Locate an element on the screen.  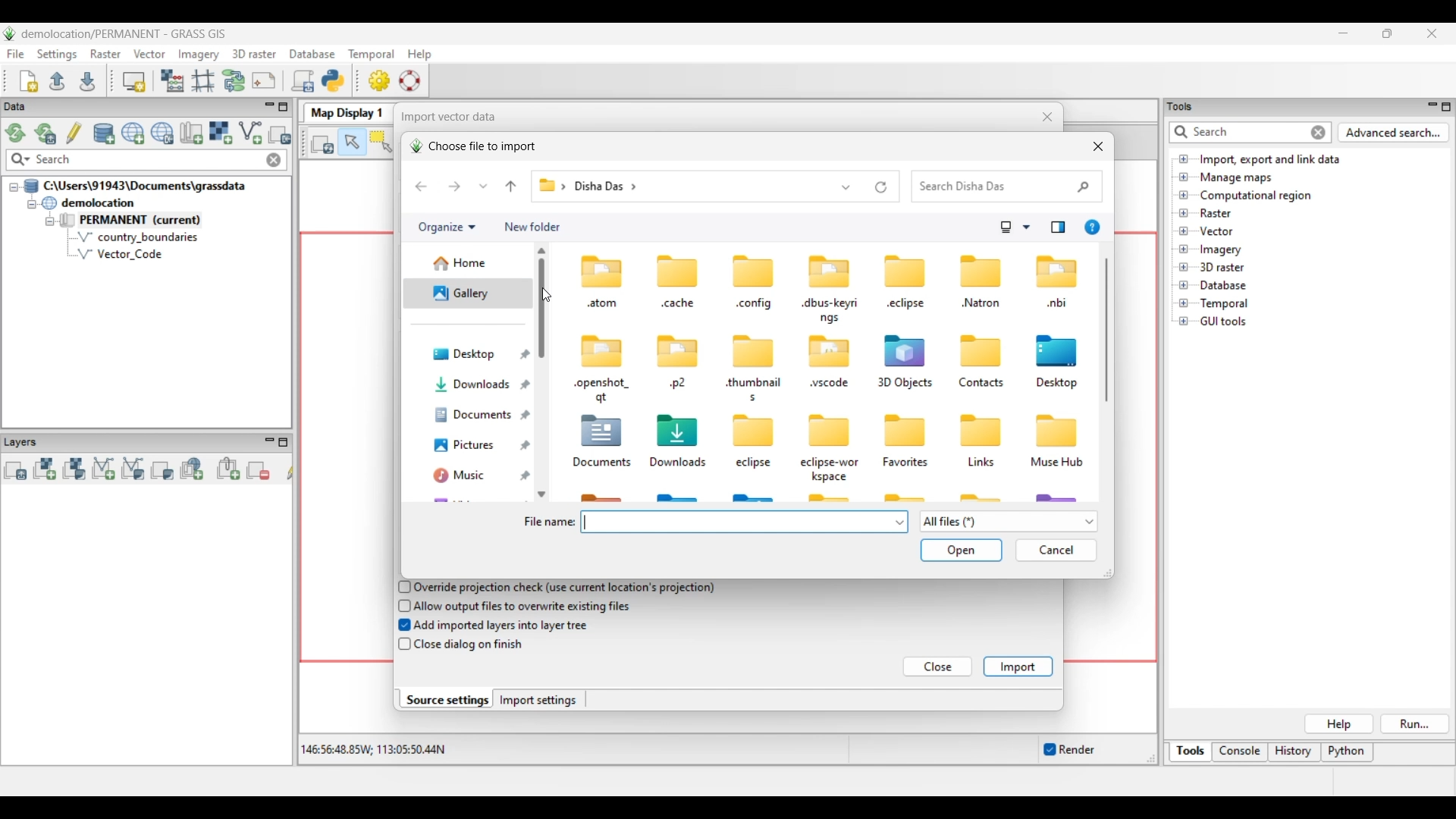
Create new workspace is located at coordinates (30, 81).